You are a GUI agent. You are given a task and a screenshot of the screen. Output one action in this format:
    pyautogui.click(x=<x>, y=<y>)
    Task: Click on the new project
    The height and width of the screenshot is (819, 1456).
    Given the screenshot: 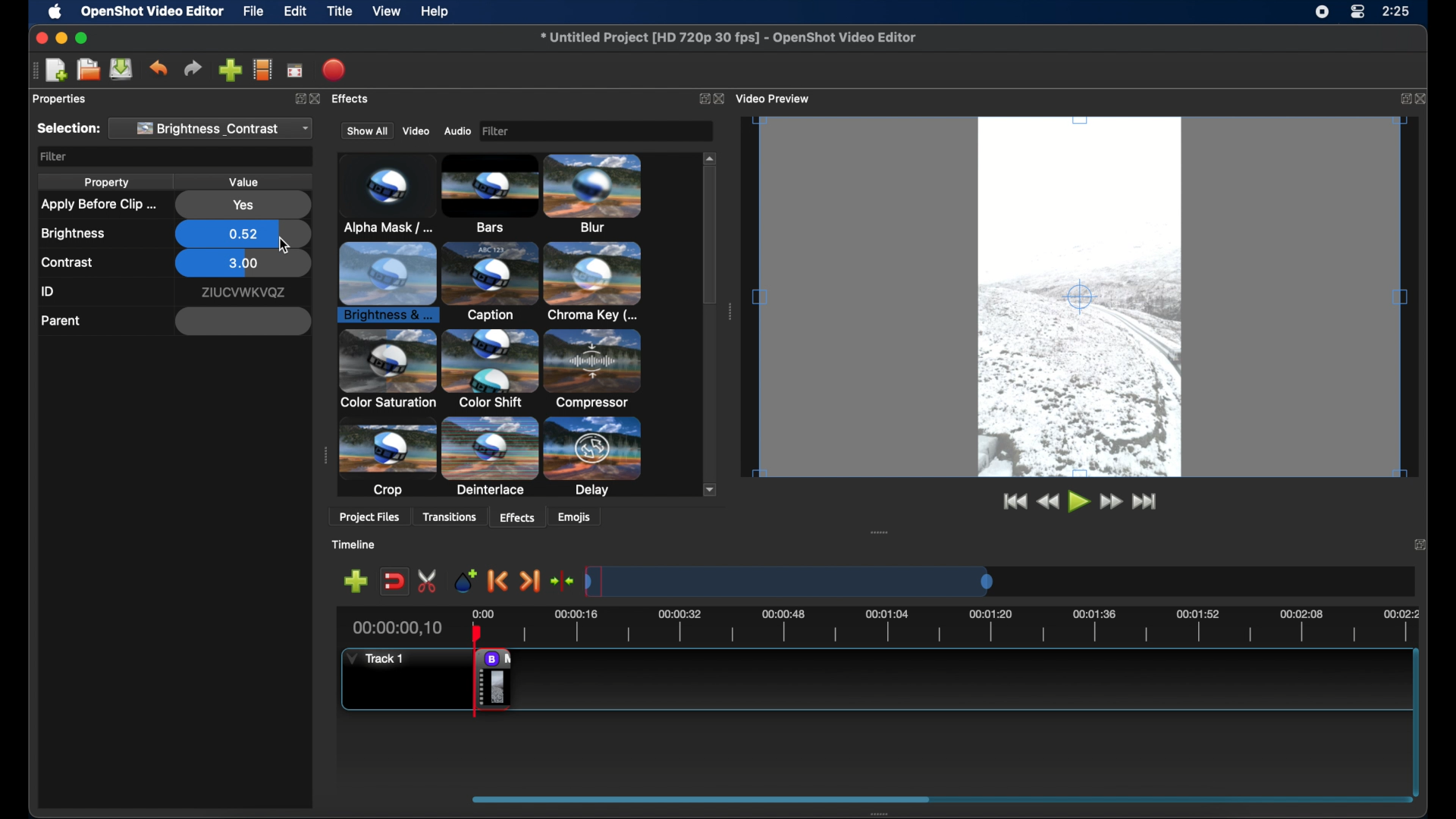 What is the action you would take?
    pyautogui.click(x=56, y=69)
    